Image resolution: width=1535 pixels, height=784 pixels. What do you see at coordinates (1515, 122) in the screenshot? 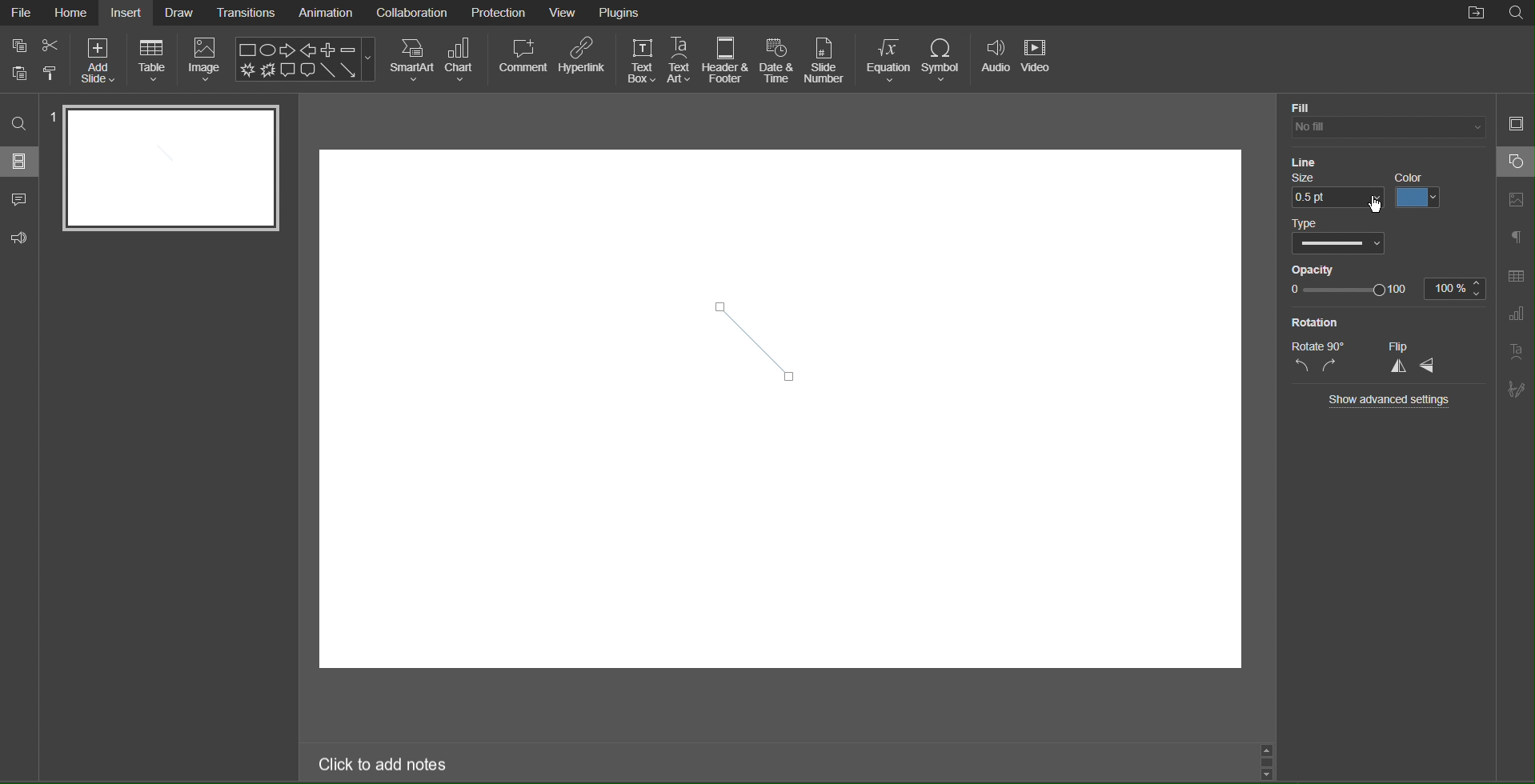
I see `Slide Settings` at bounding box center [1515, 122].